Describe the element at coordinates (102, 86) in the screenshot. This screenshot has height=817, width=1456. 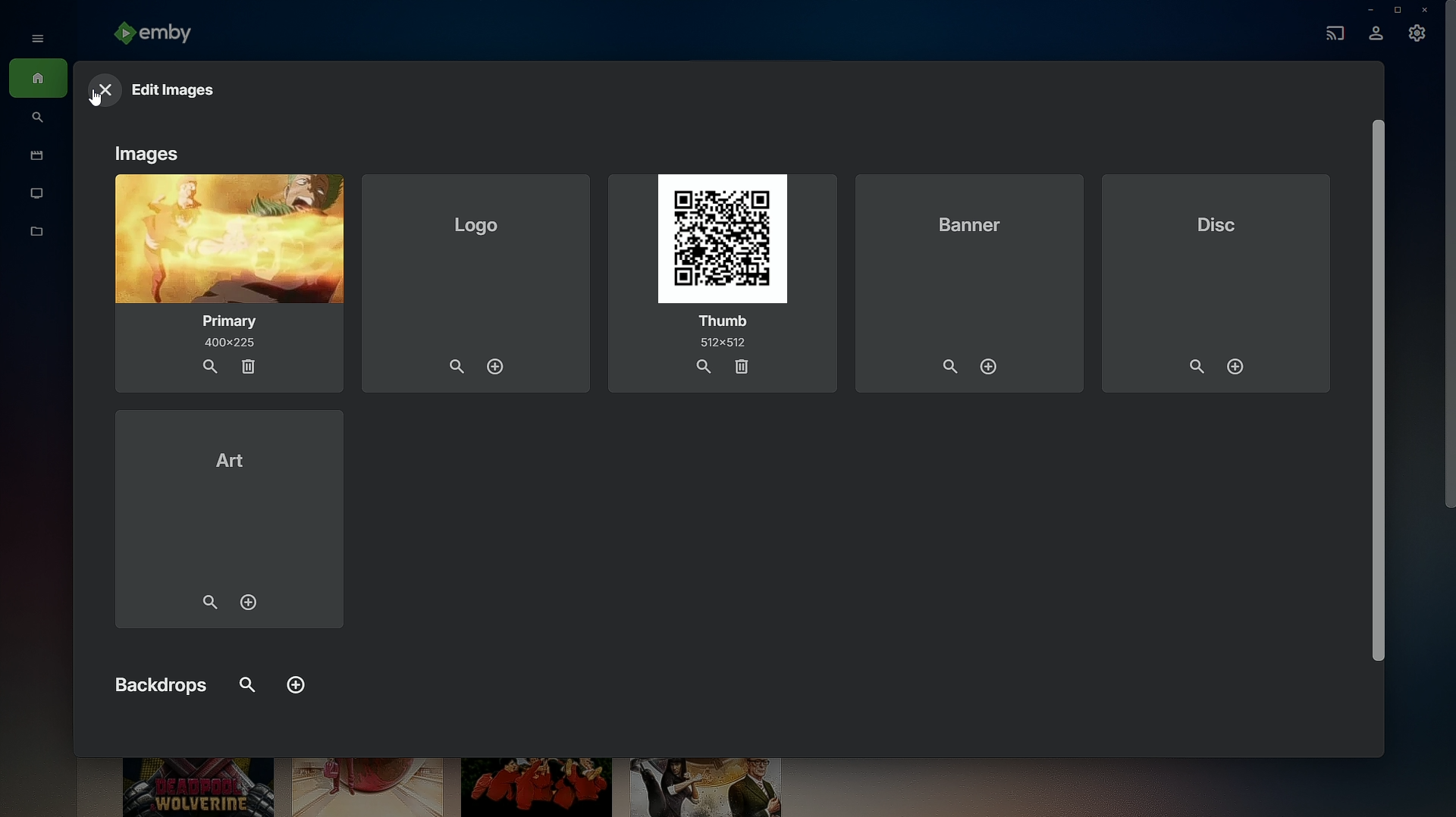
I see `Close` at that location.